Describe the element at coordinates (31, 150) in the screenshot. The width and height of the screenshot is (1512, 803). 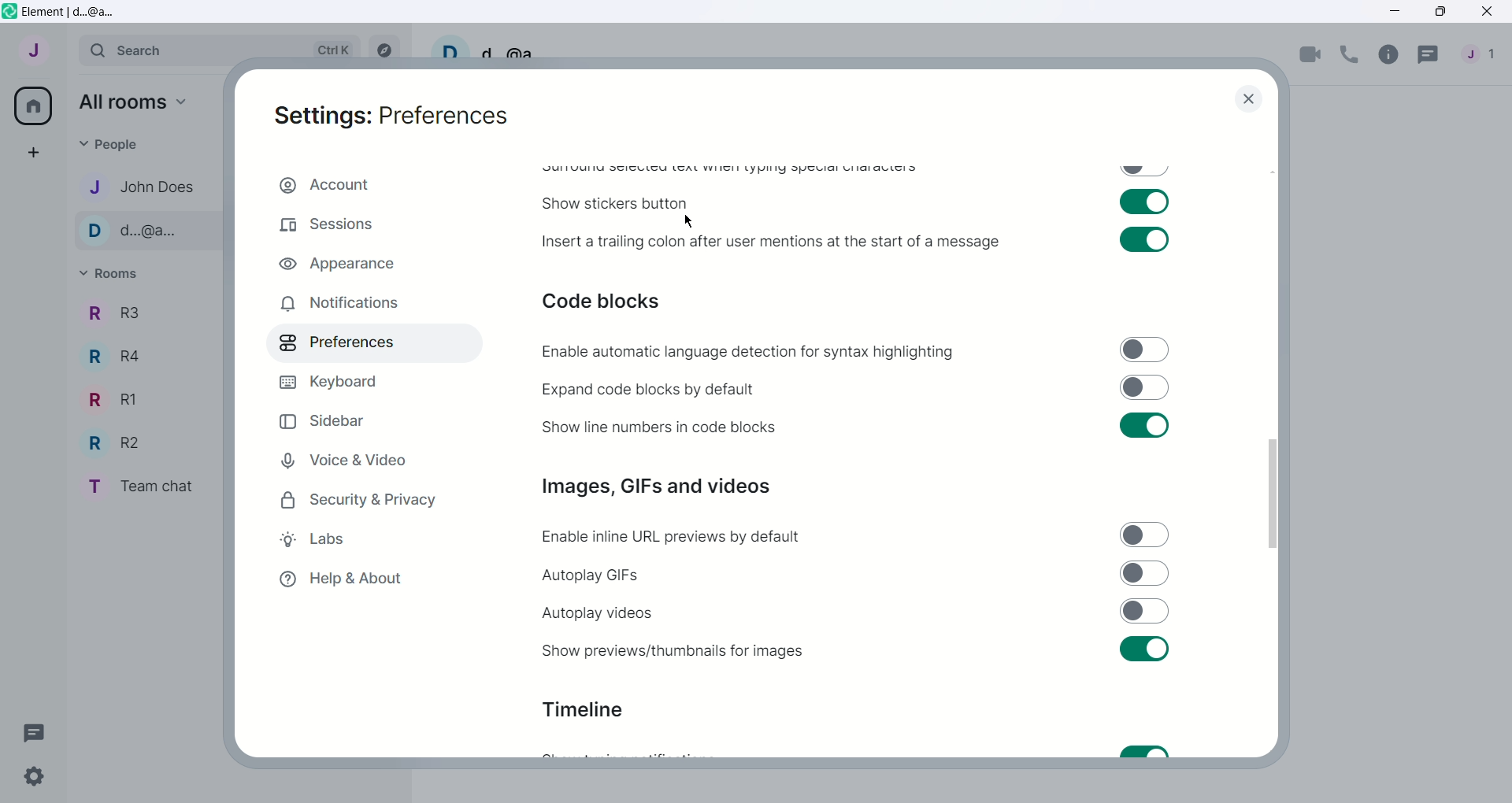
I see `Create a space` at that location.